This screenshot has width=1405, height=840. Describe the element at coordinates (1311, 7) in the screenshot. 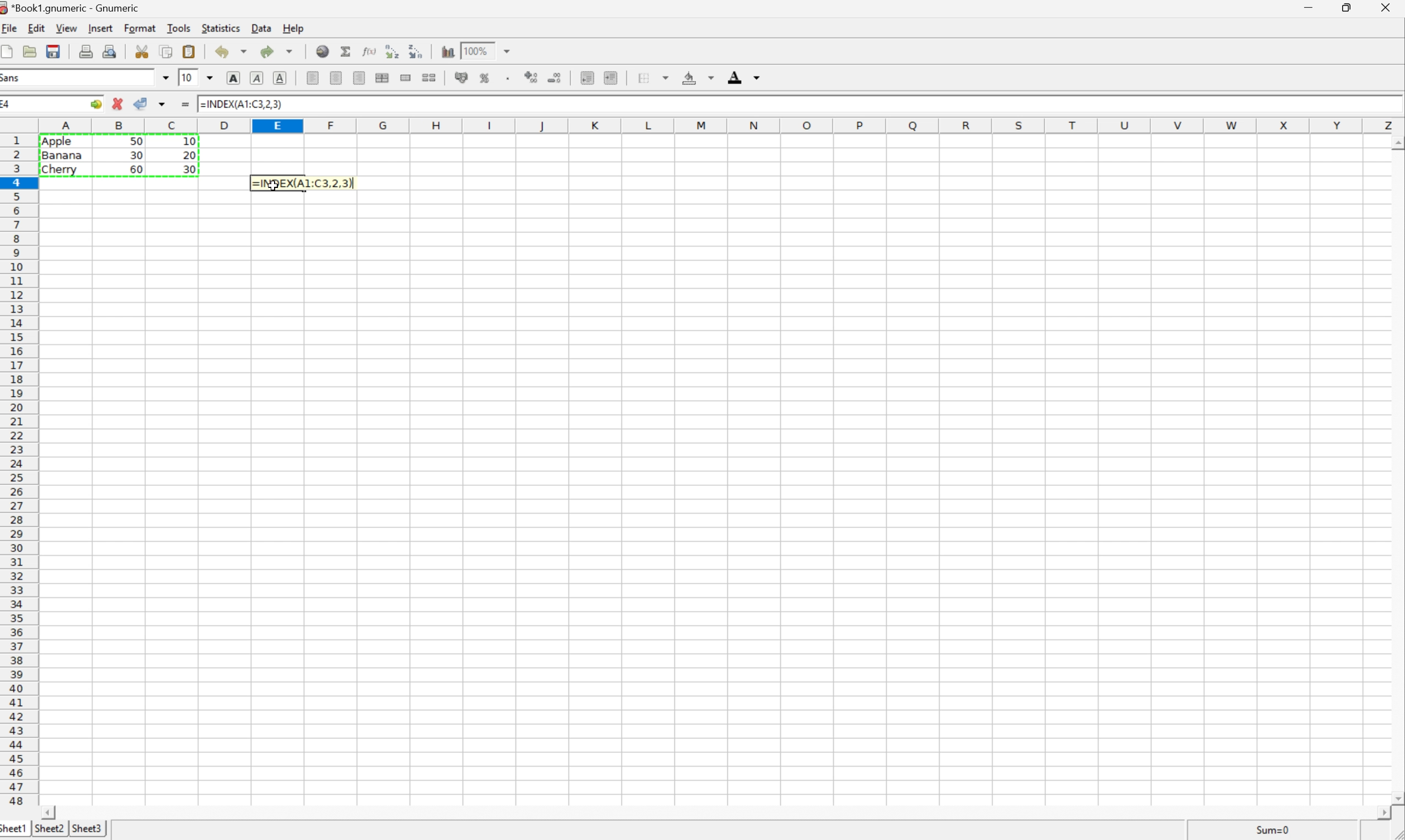

I see `minimize` at that location.